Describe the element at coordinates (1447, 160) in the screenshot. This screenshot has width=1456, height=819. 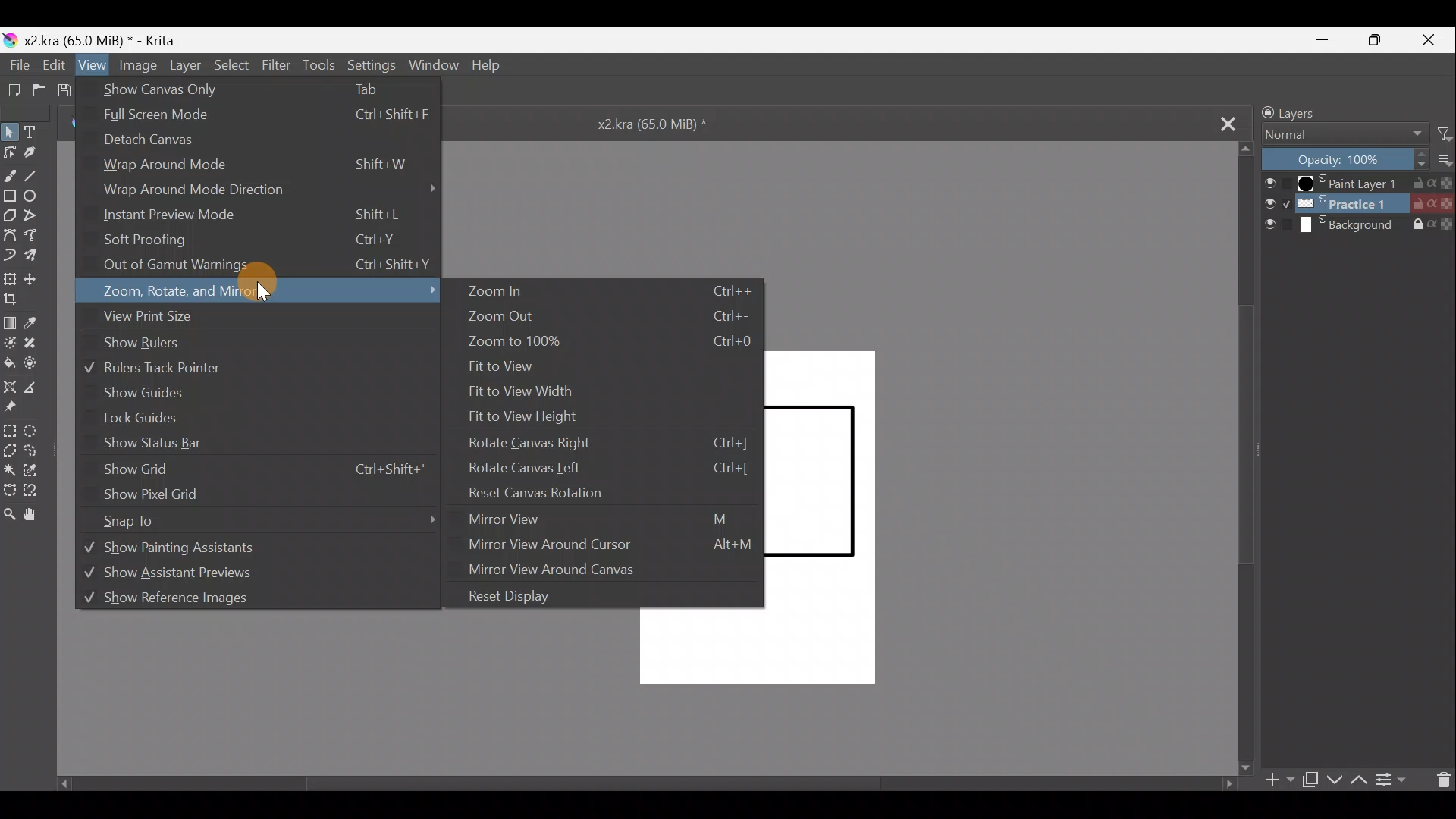
I see `More` at that location.